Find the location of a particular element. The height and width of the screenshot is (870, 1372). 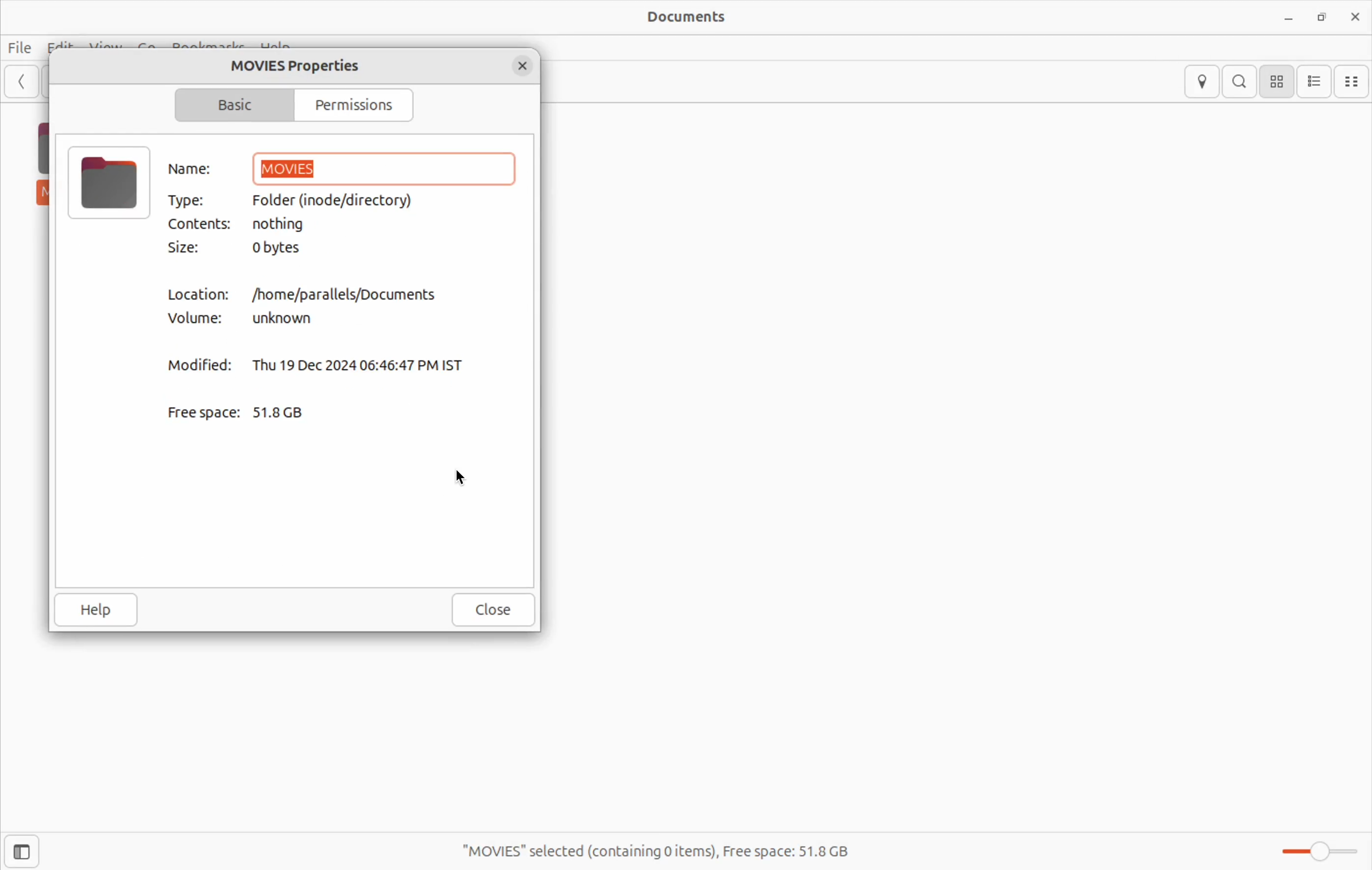

Folder path is located at coordinates (337, 199).